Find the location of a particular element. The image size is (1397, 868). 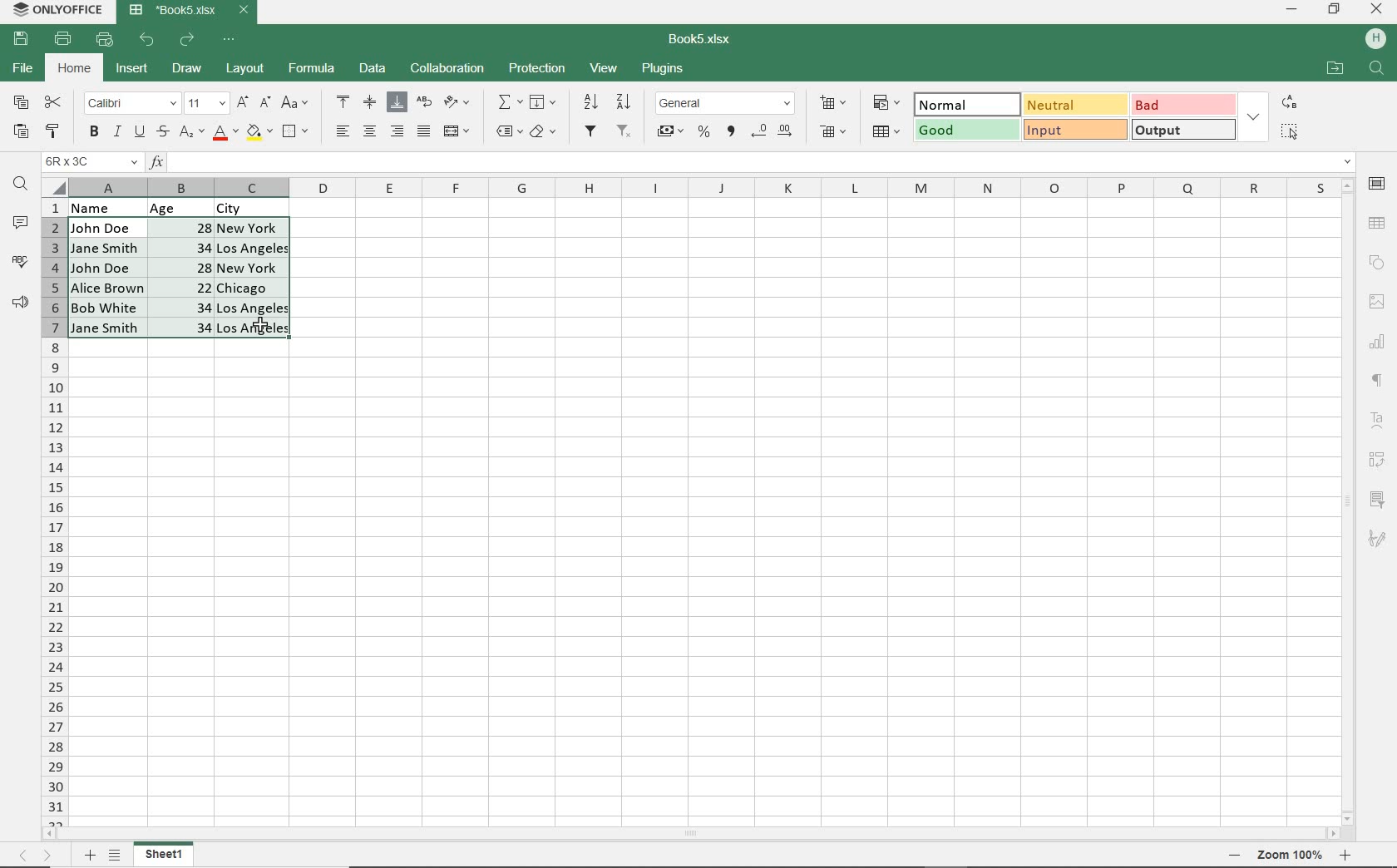

FILL is located at coordinates (547, 103).